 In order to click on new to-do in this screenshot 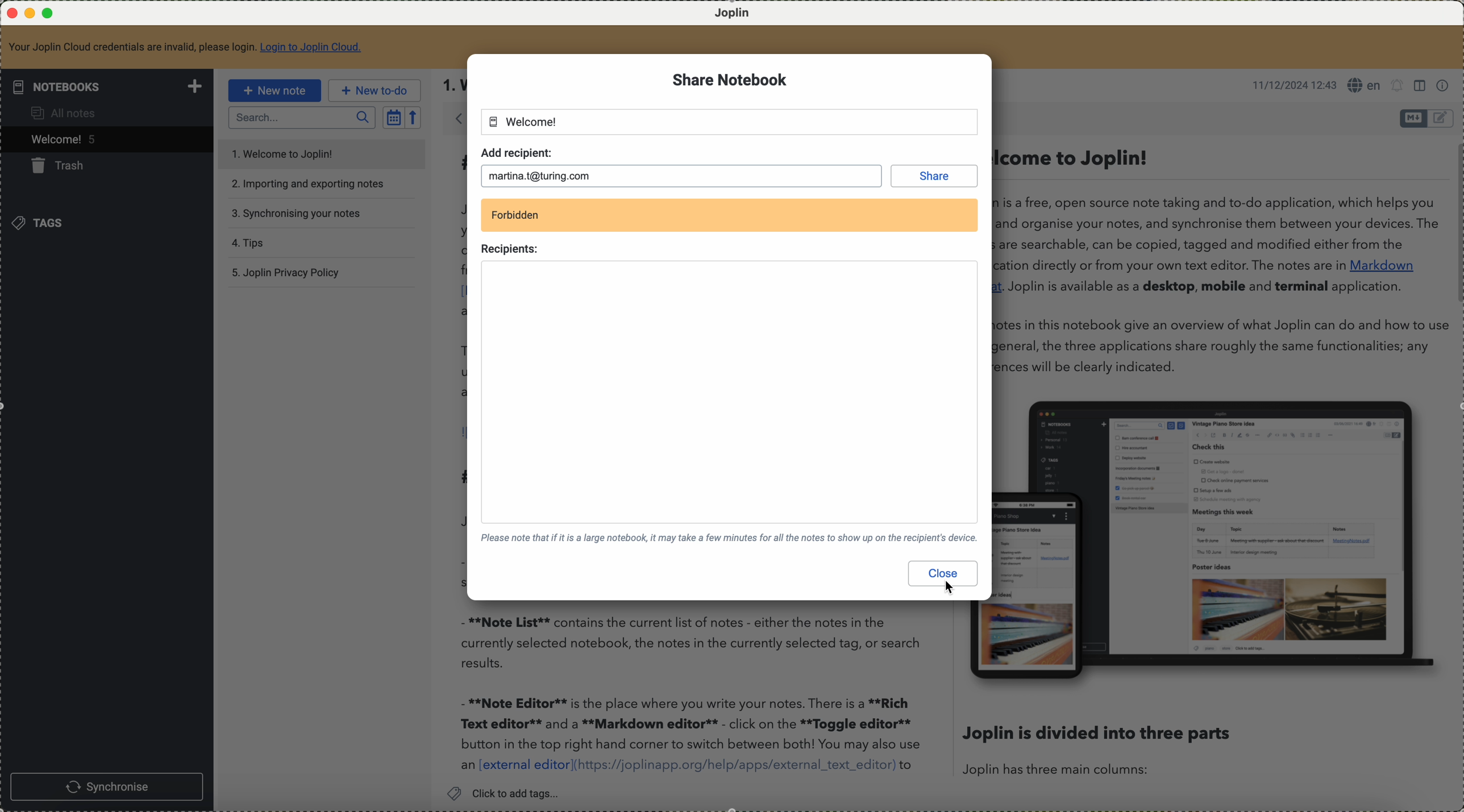, I will do `click(375, 90)`.